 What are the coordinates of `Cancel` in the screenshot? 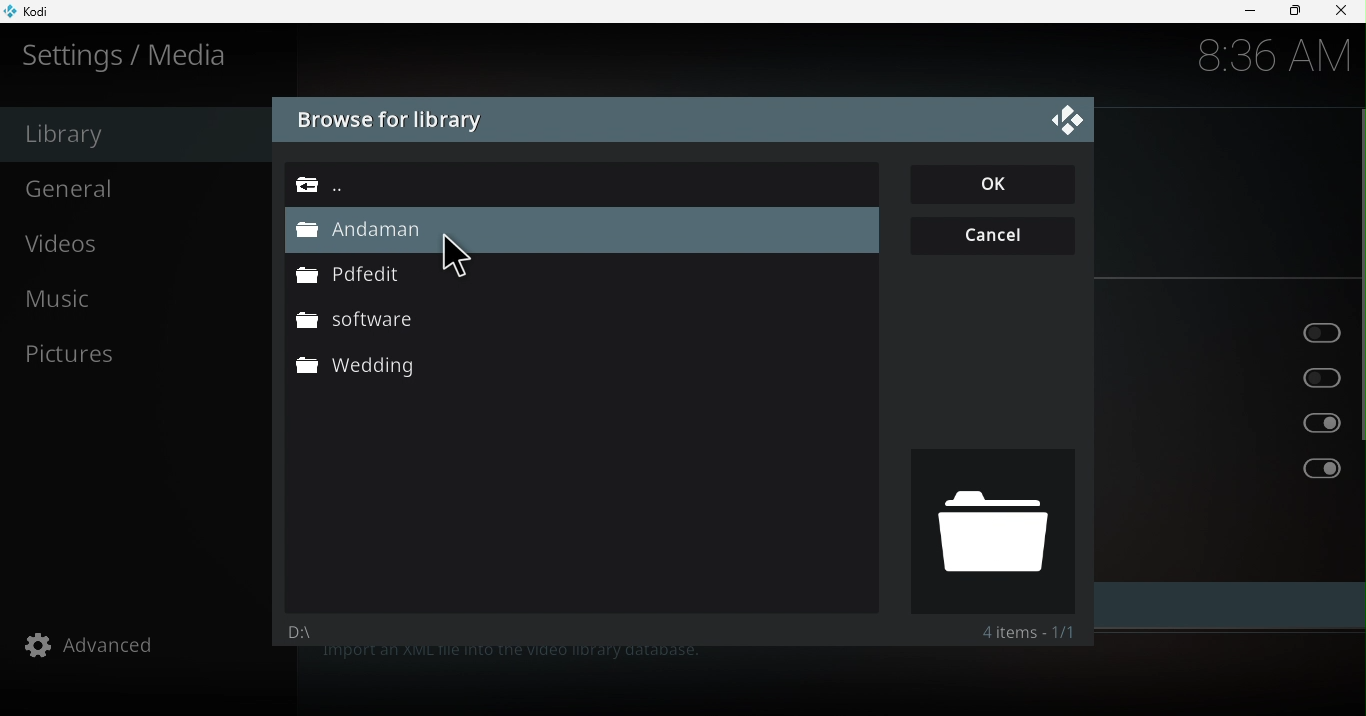 It's located at (995, 233).